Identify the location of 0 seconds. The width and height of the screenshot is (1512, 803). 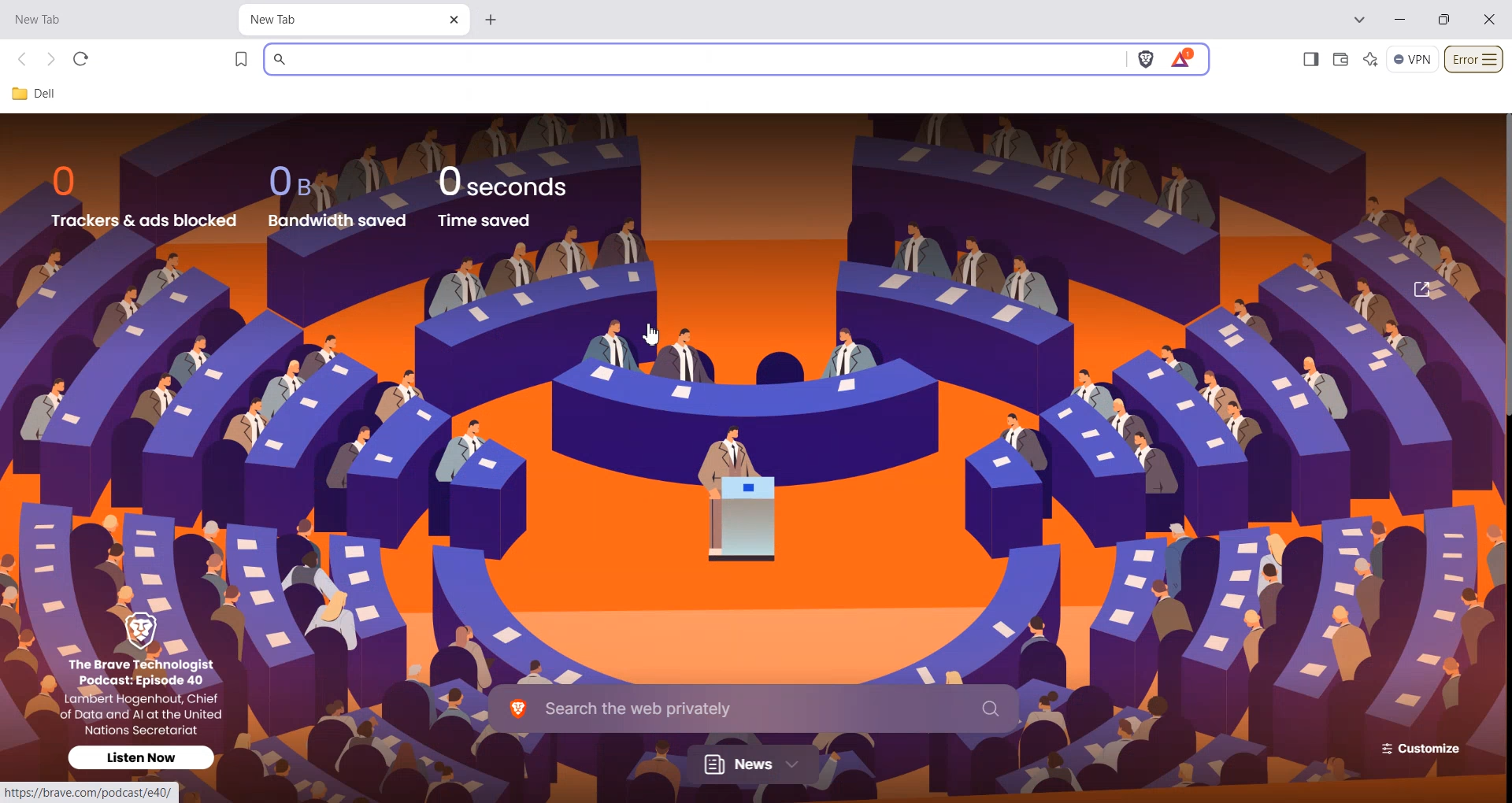
(513, 179).